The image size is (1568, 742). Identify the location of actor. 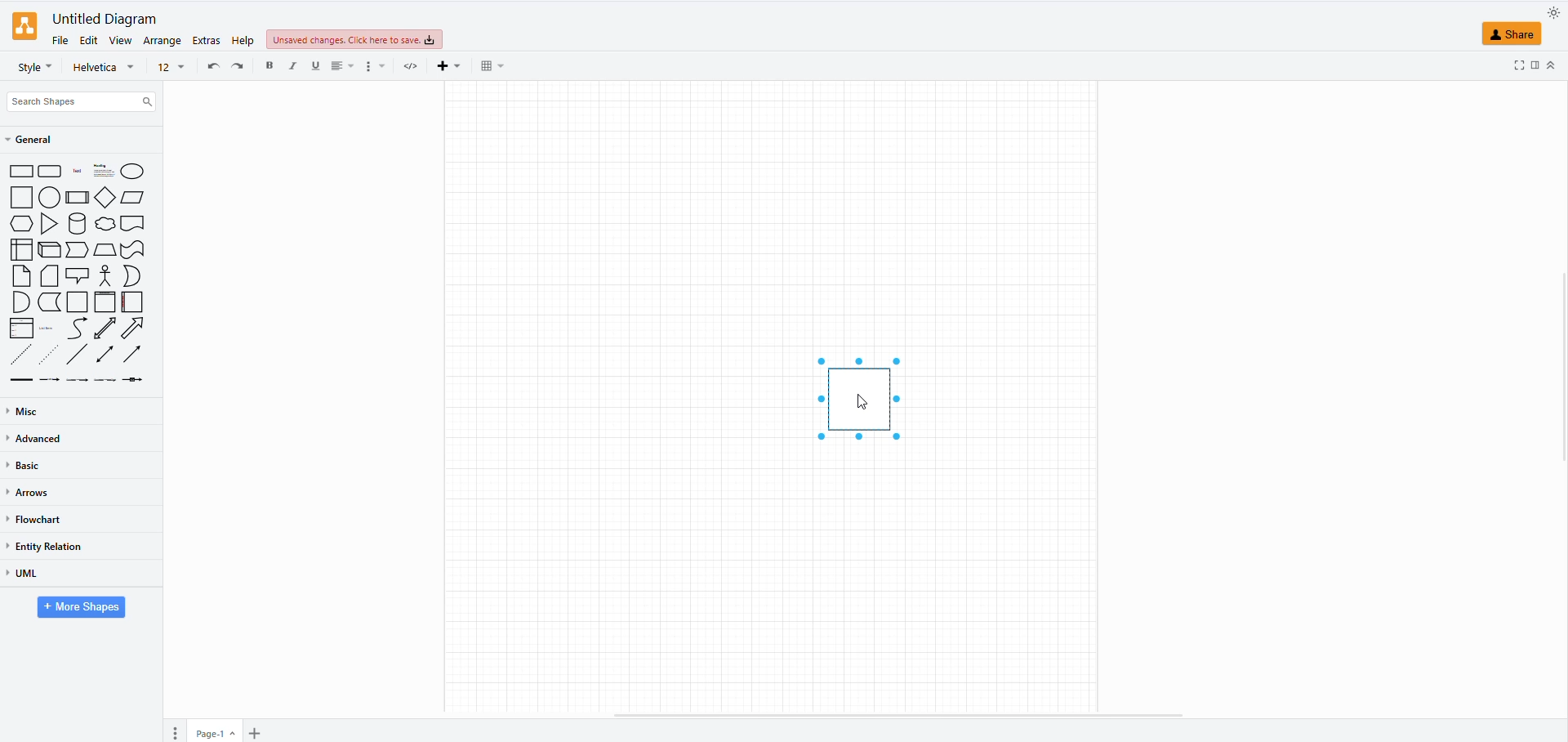
(105, 275).